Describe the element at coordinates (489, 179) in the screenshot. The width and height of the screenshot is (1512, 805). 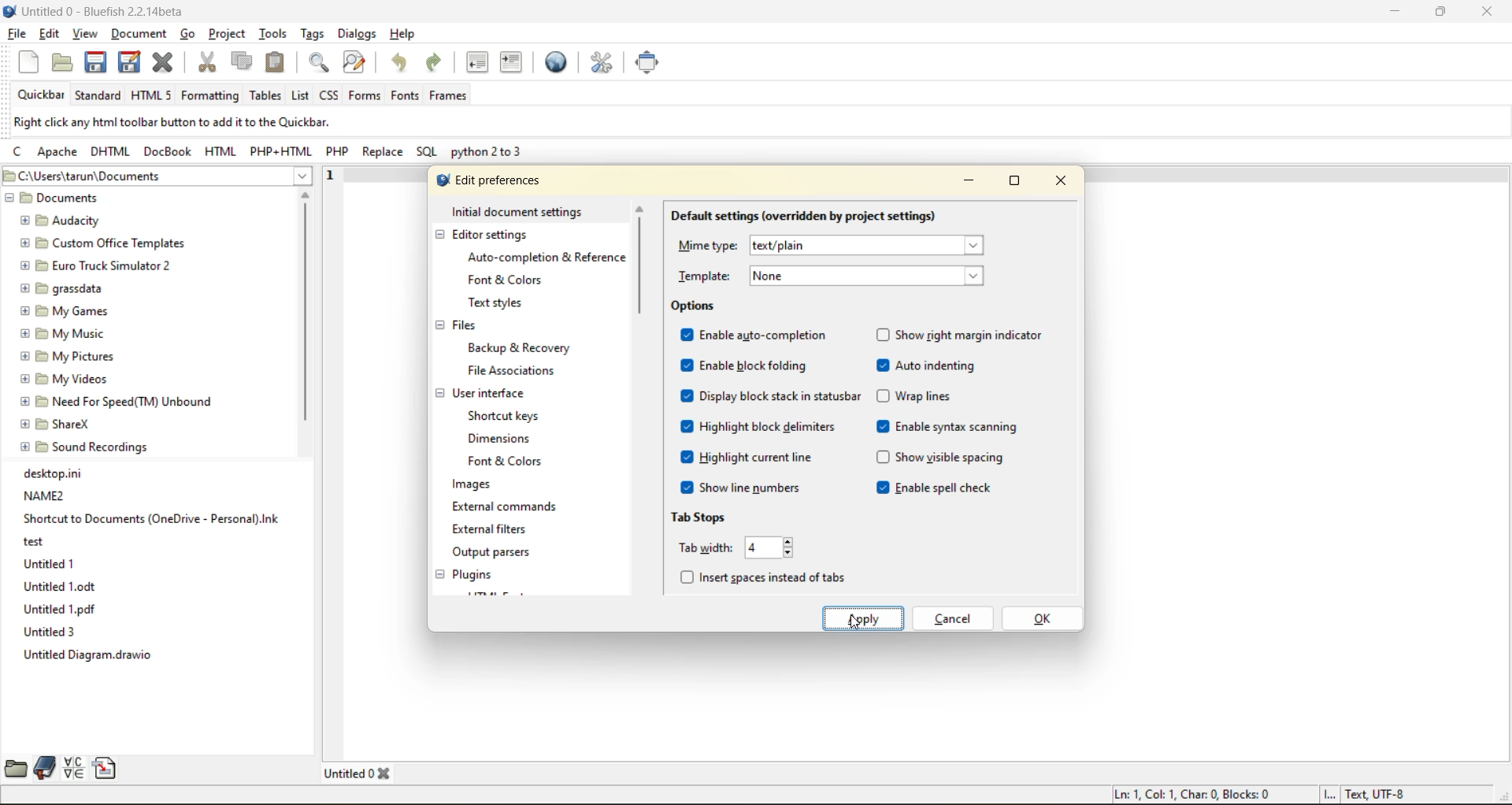
I see `edit preferences` at that location.